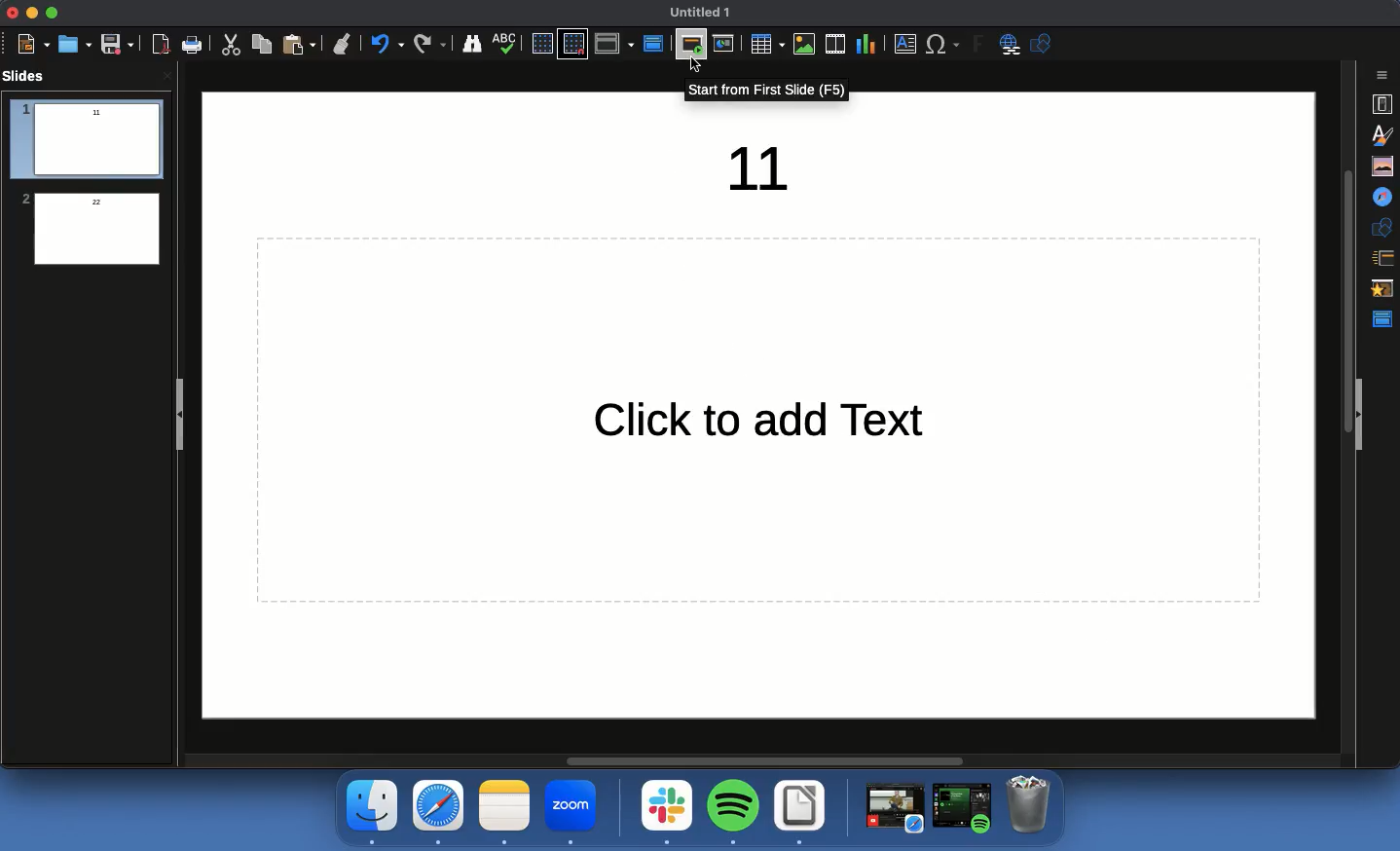  Describe the element at coordinates (297, 44) in the screenshot. I see `Paste` at that location.